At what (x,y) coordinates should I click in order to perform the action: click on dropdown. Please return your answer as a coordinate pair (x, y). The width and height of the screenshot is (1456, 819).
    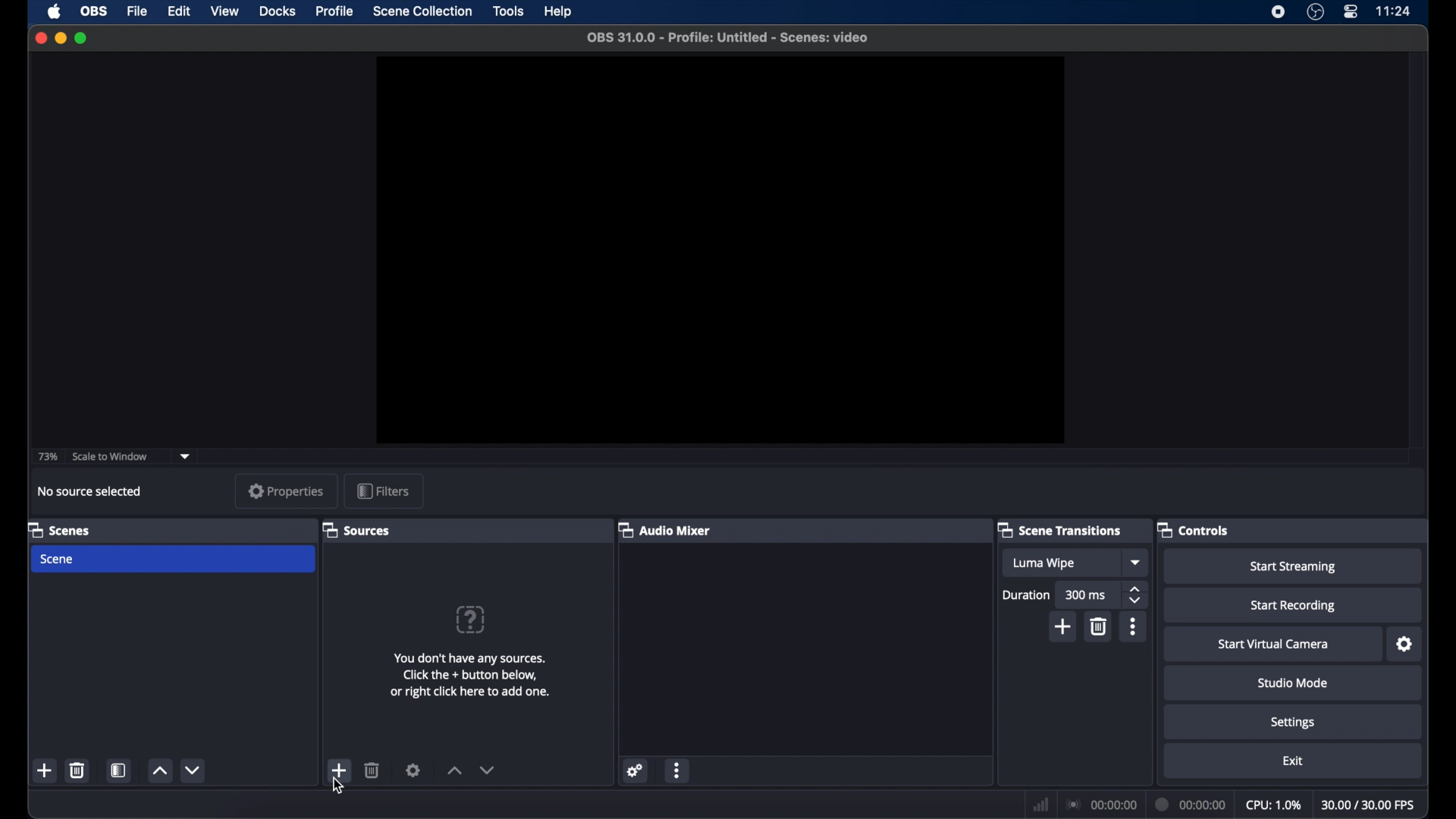
    Looking at the image, I should click on (1137, 562).